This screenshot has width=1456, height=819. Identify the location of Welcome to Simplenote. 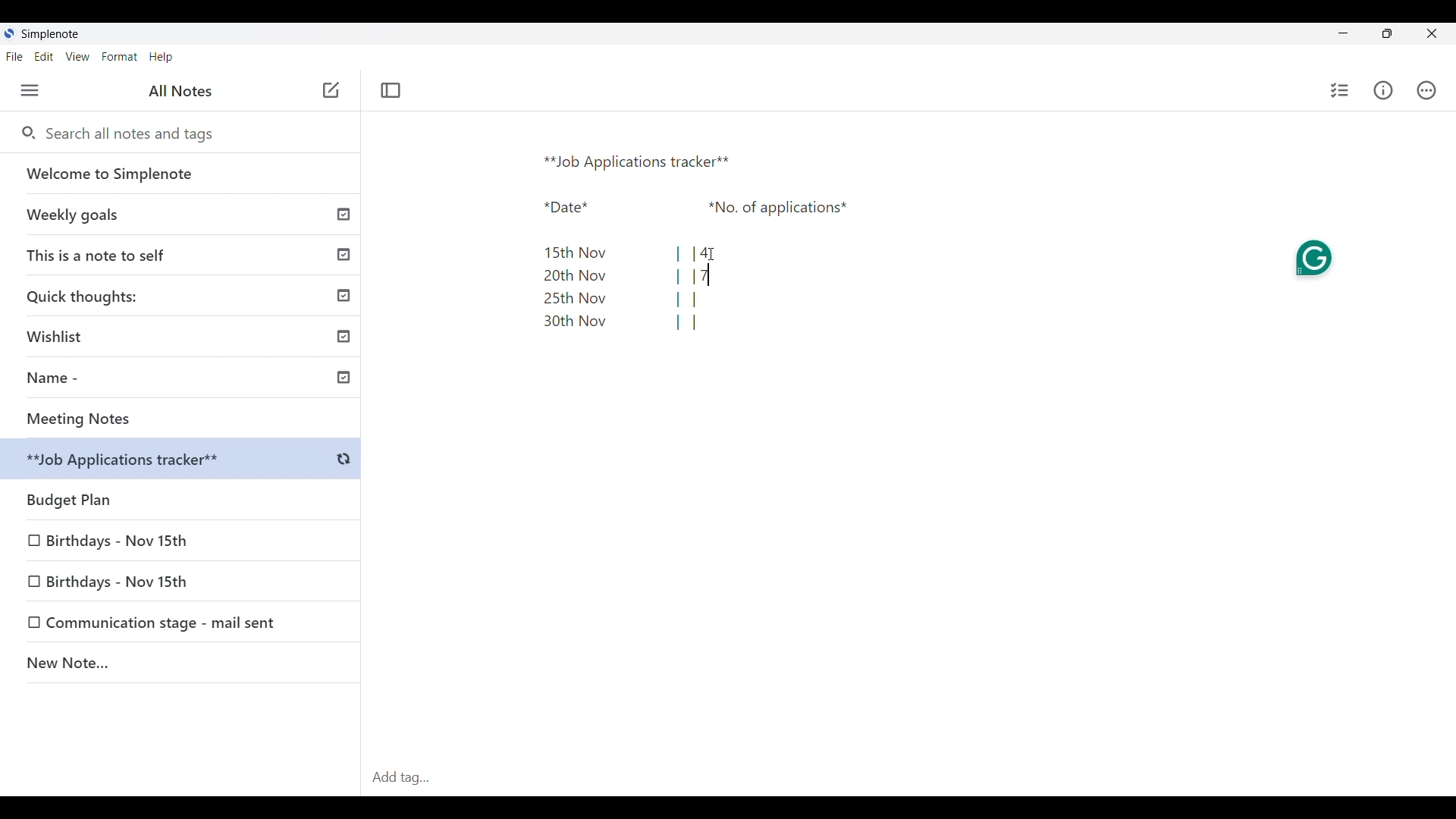
(181, 174).